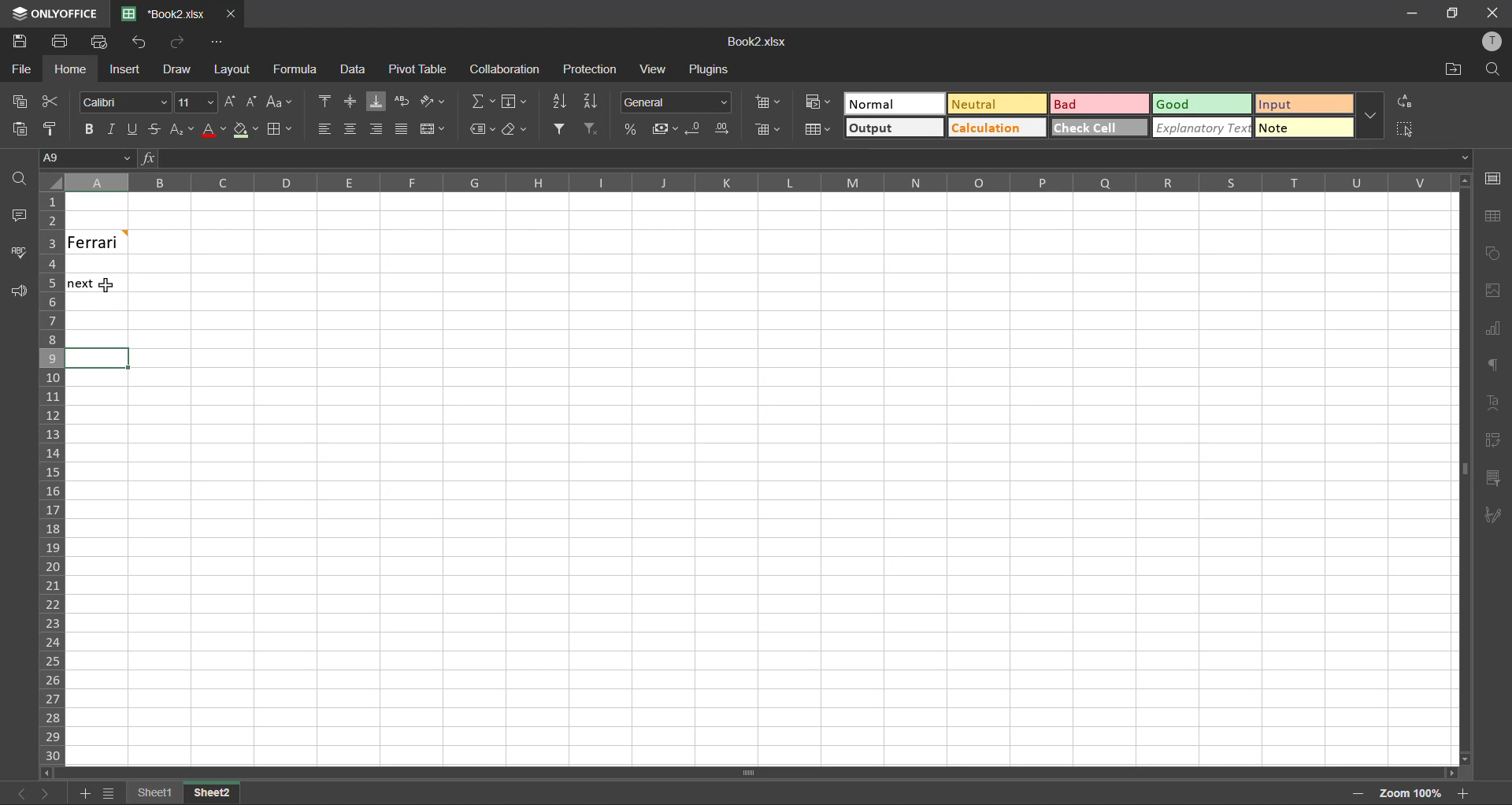 This screenshot has height=805, width=1512. Describe the element at coordinates (213, 134) in the screenshot. I see `font color` at that location.